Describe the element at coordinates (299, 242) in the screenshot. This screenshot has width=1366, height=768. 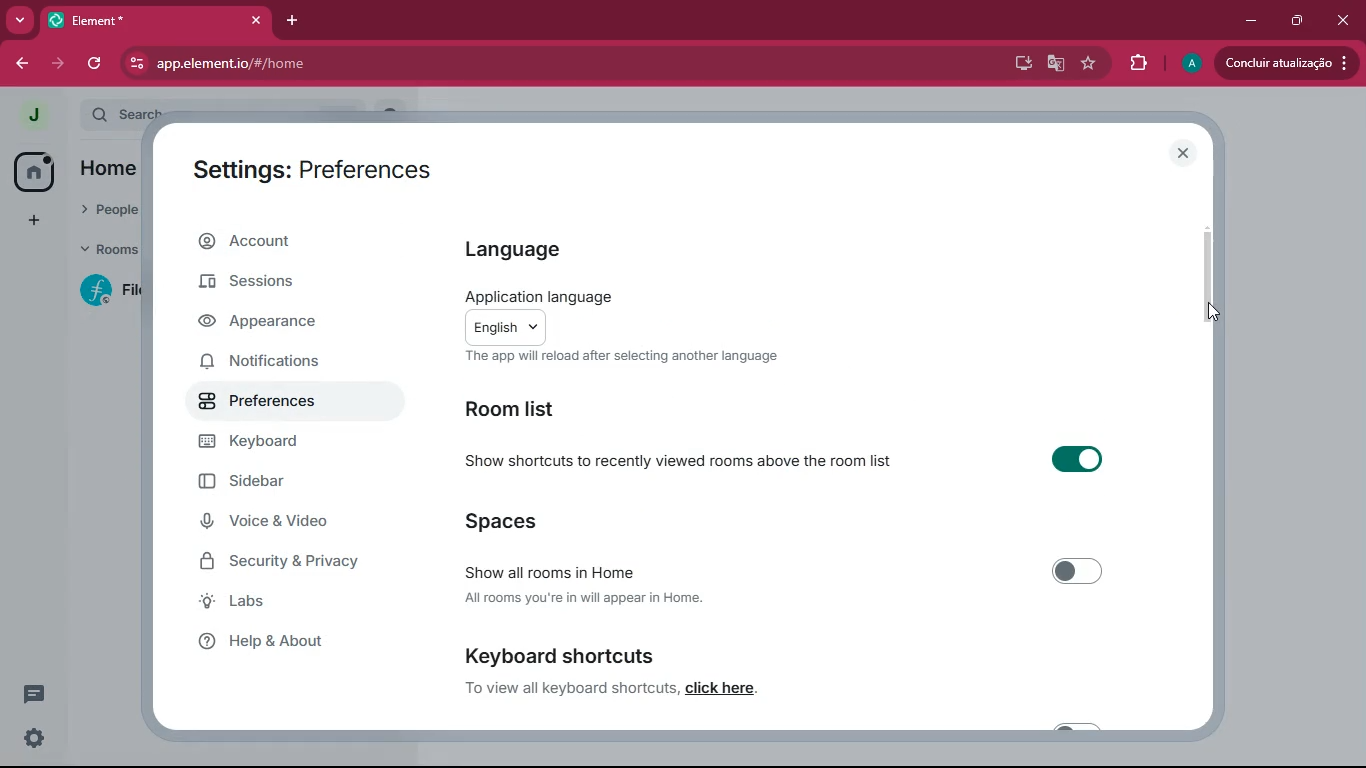
I see `account` at that location.